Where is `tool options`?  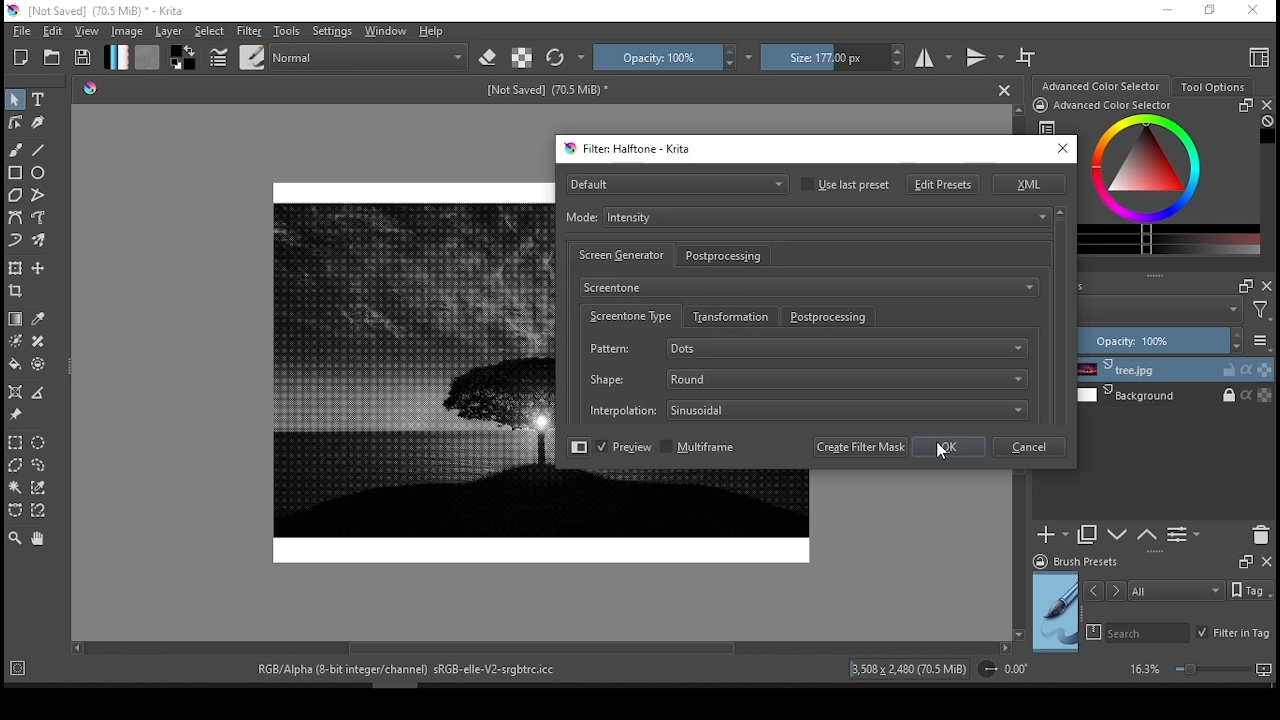 tool options is located at coordinates (1212, 87).